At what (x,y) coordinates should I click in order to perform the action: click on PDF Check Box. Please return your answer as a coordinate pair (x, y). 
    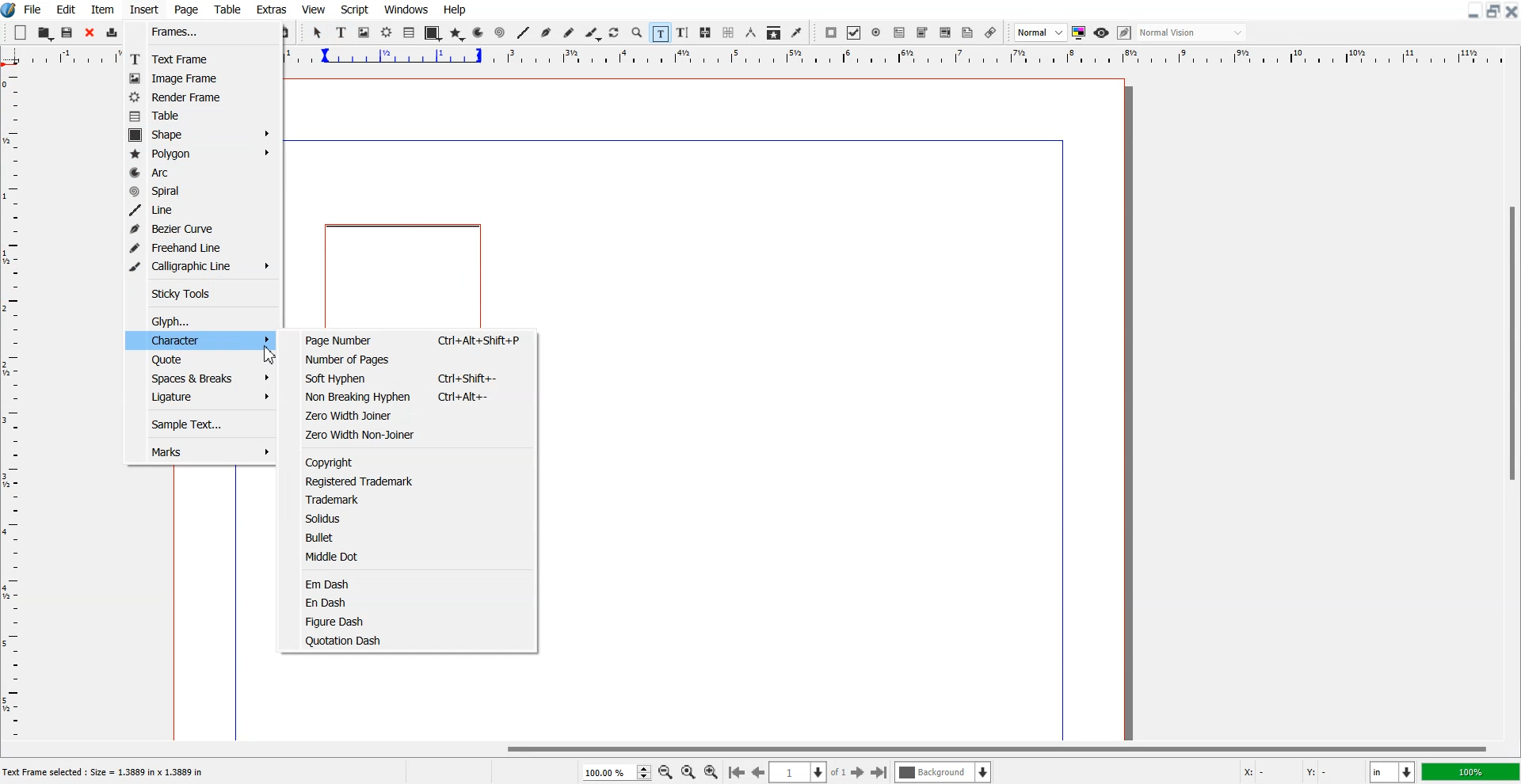
    Looking at the image, I should click on (854, 33).